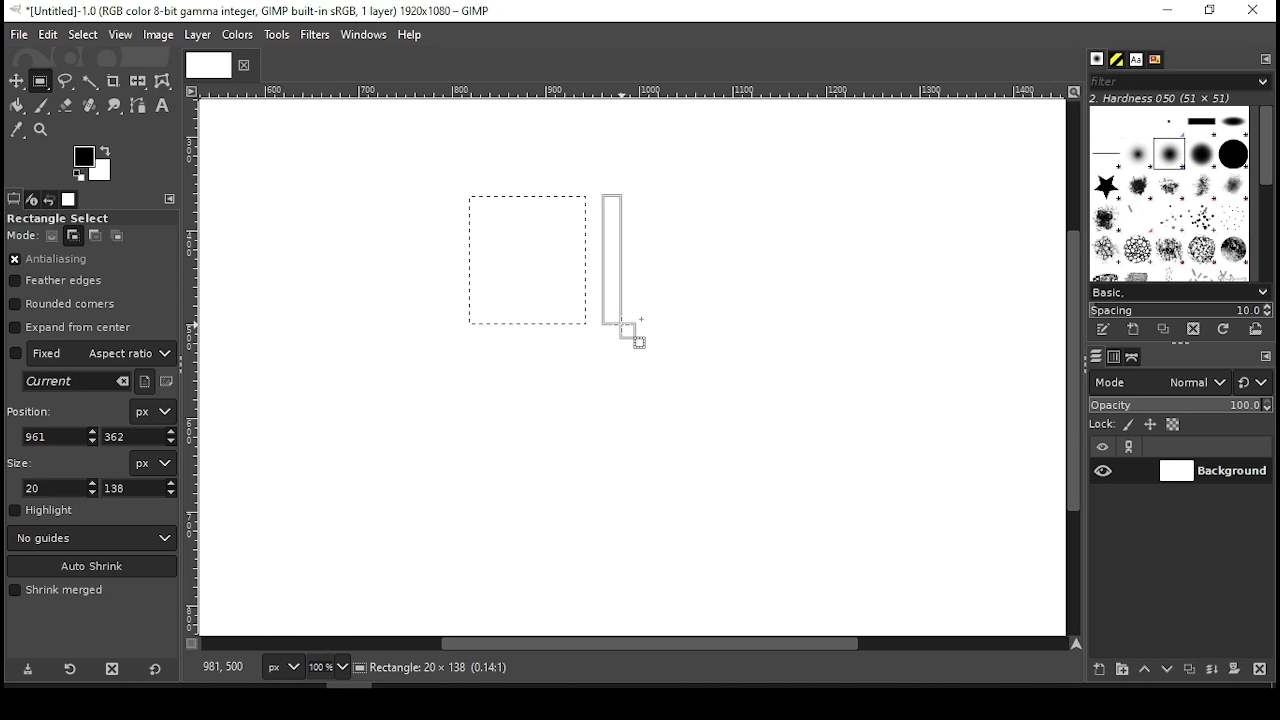  What do you see at coordinates (629, 92) in the screenshot?
I see `` at bounding box center [629, 92].